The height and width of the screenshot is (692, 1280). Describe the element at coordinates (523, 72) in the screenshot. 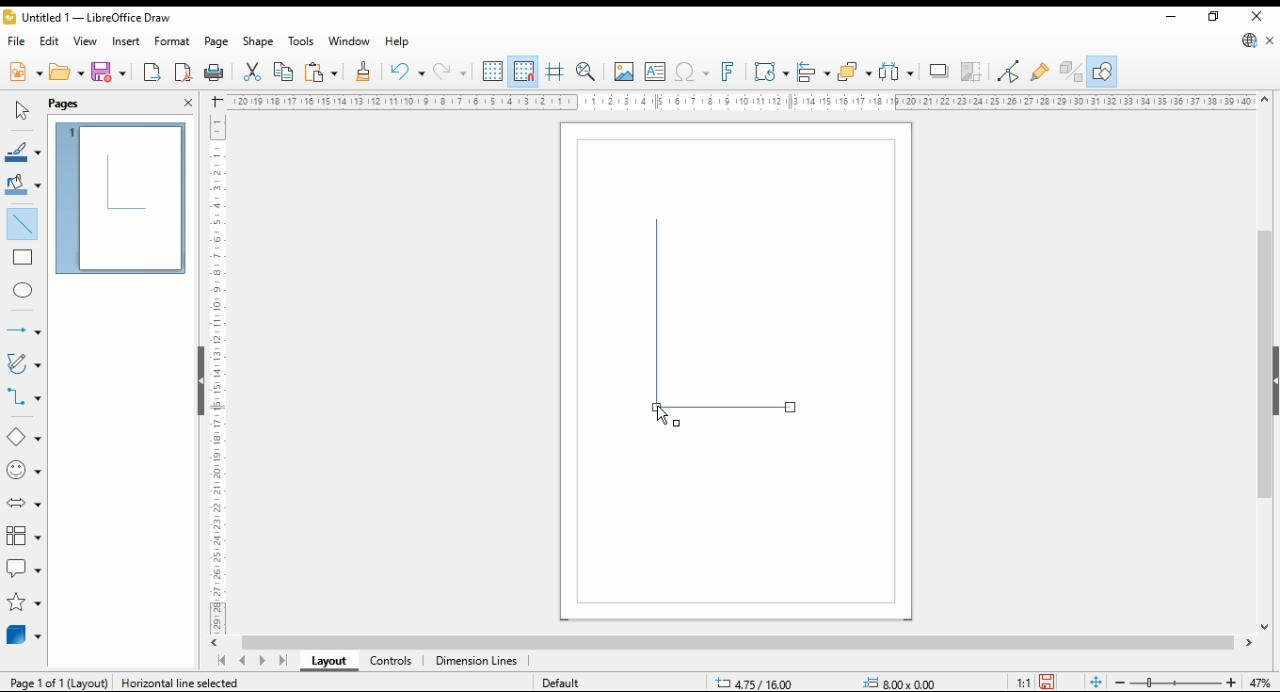

I see `snap to grid` at that location.